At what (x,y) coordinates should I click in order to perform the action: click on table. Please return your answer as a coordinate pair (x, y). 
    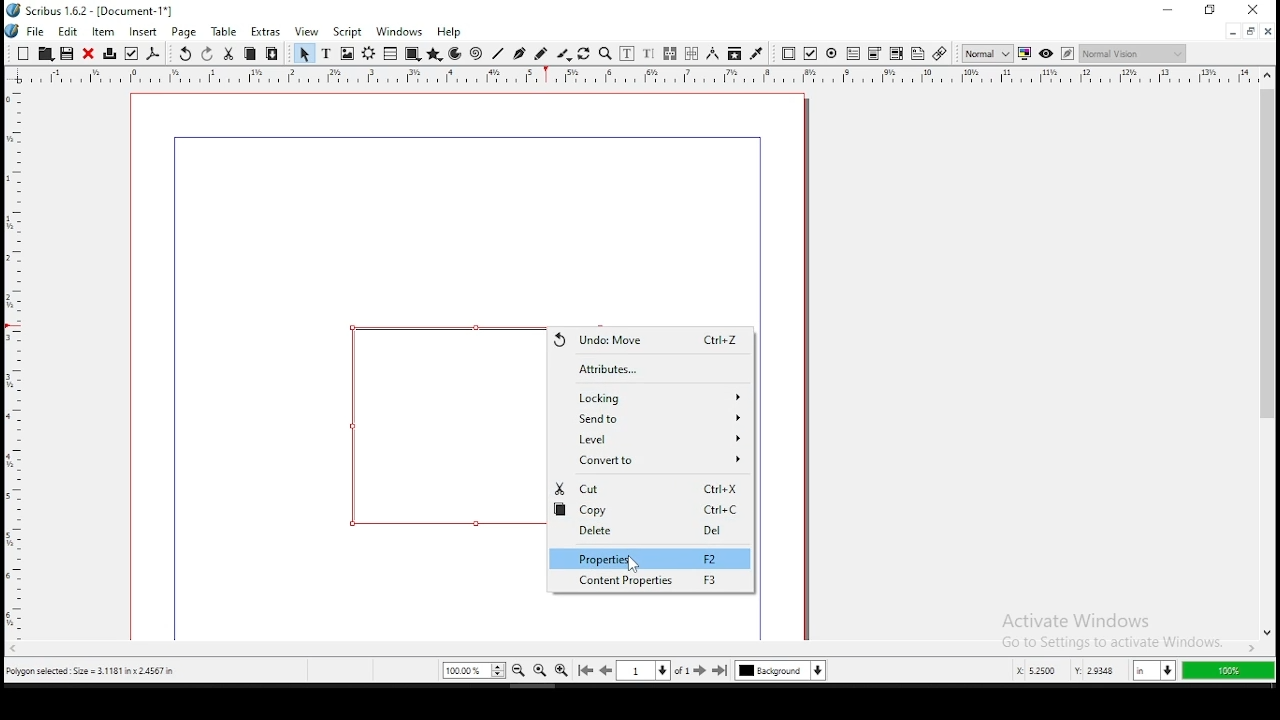
    Looking at the image, I should click on (225, 32).